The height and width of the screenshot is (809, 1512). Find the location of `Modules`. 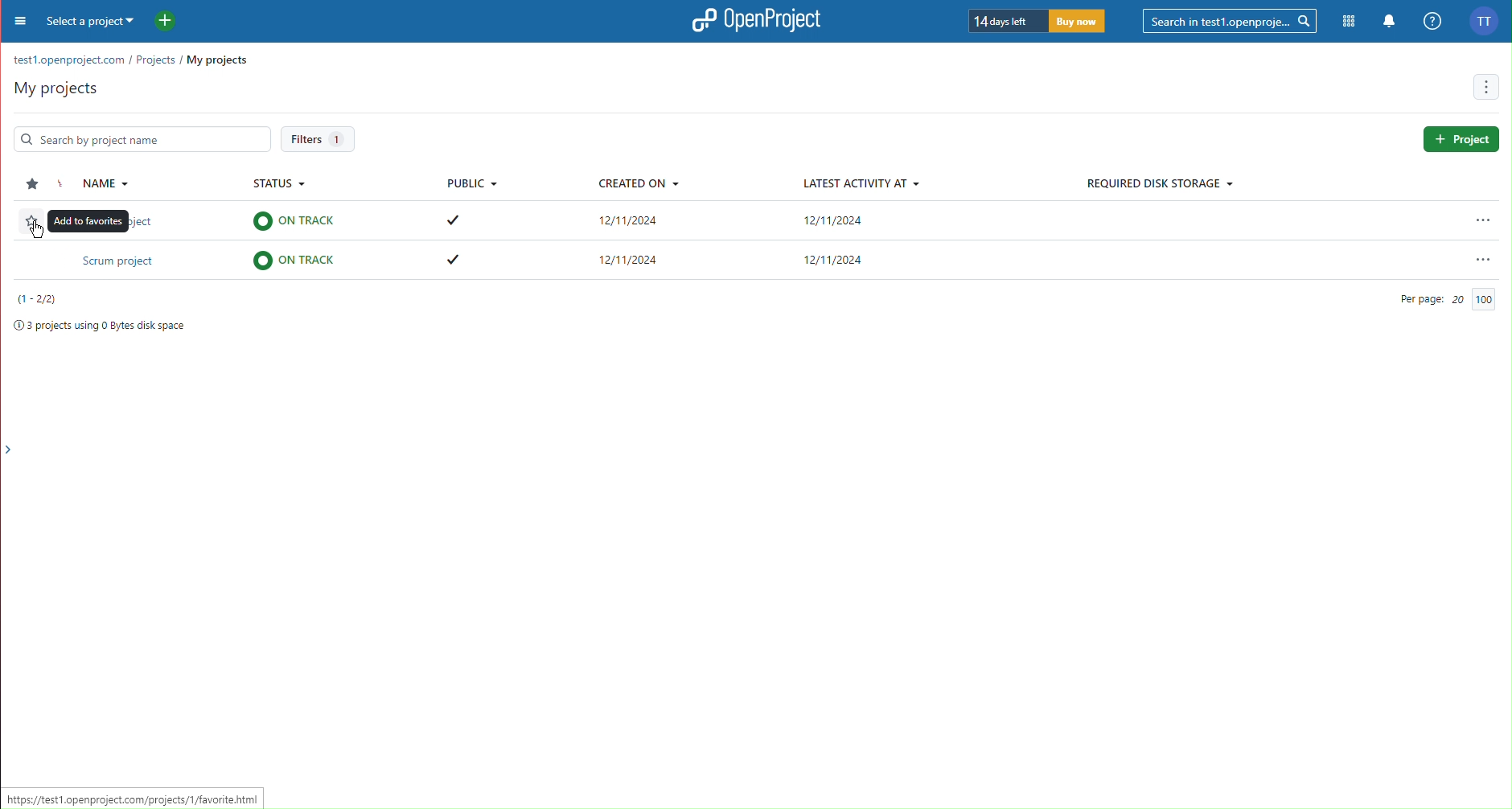

Modules is located at coordinates (1346, 19).